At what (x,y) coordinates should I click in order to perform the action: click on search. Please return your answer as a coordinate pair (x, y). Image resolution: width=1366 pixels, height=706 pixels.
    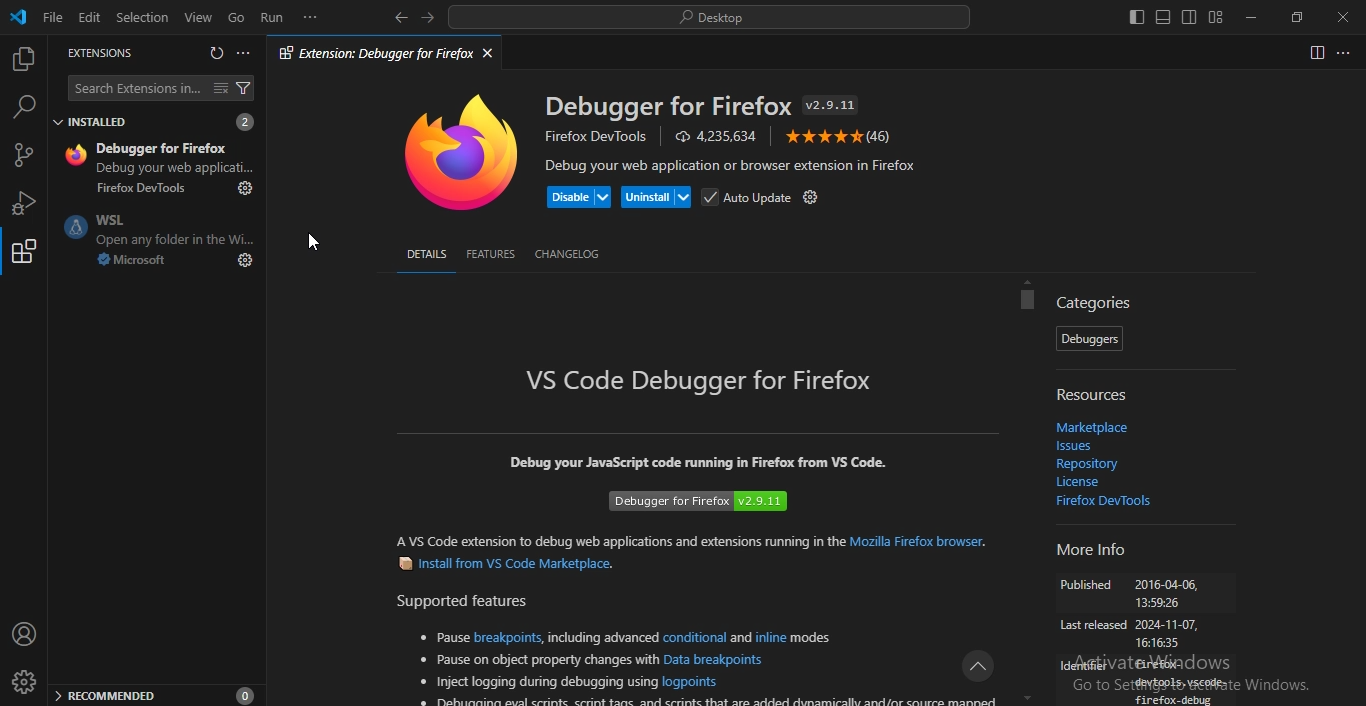
    Looking at the image, I should click on (708, 19).